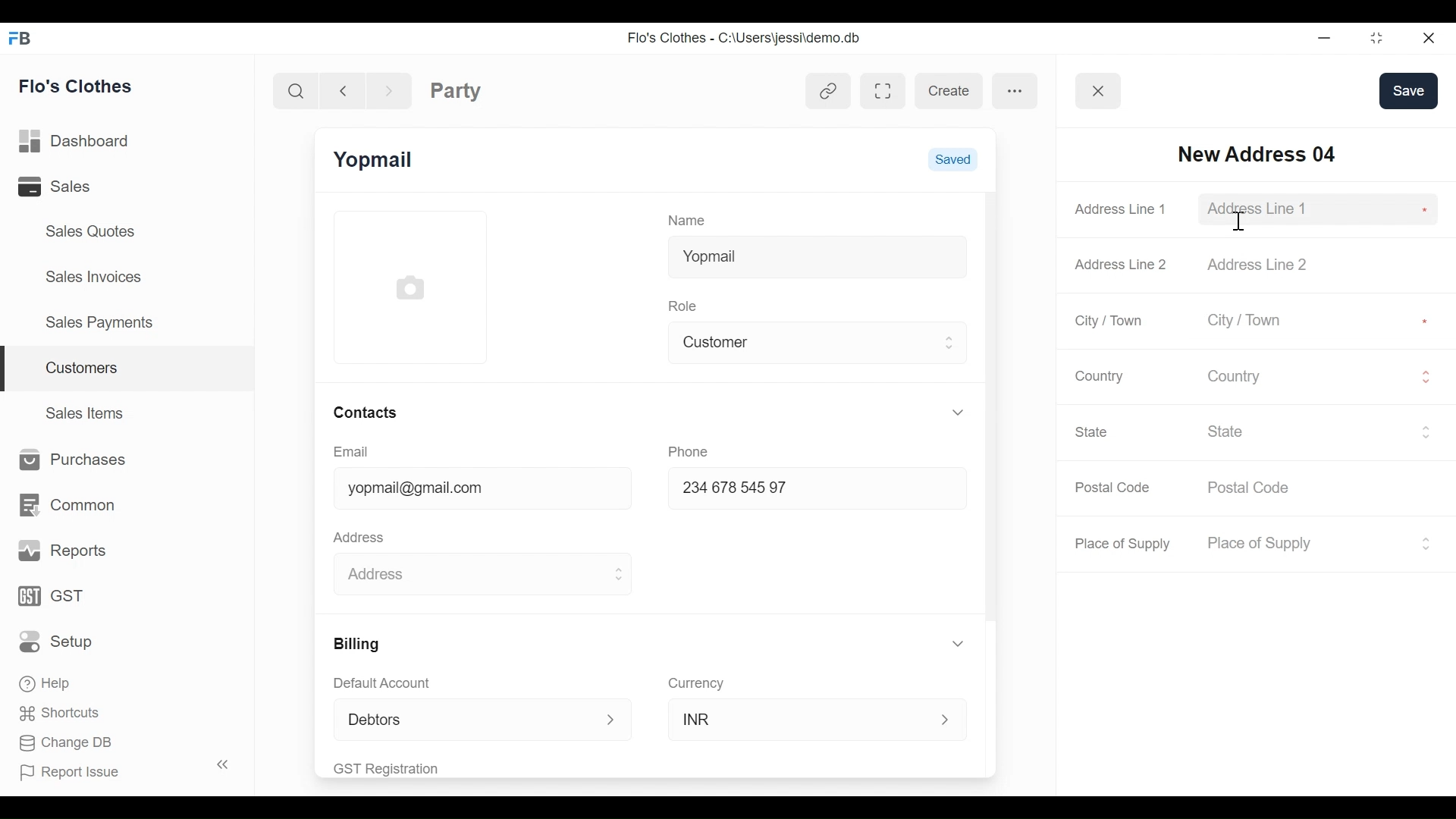 This screenshot has height=819, width=1456. I want to click on Postal Code, so click(1115, 488).